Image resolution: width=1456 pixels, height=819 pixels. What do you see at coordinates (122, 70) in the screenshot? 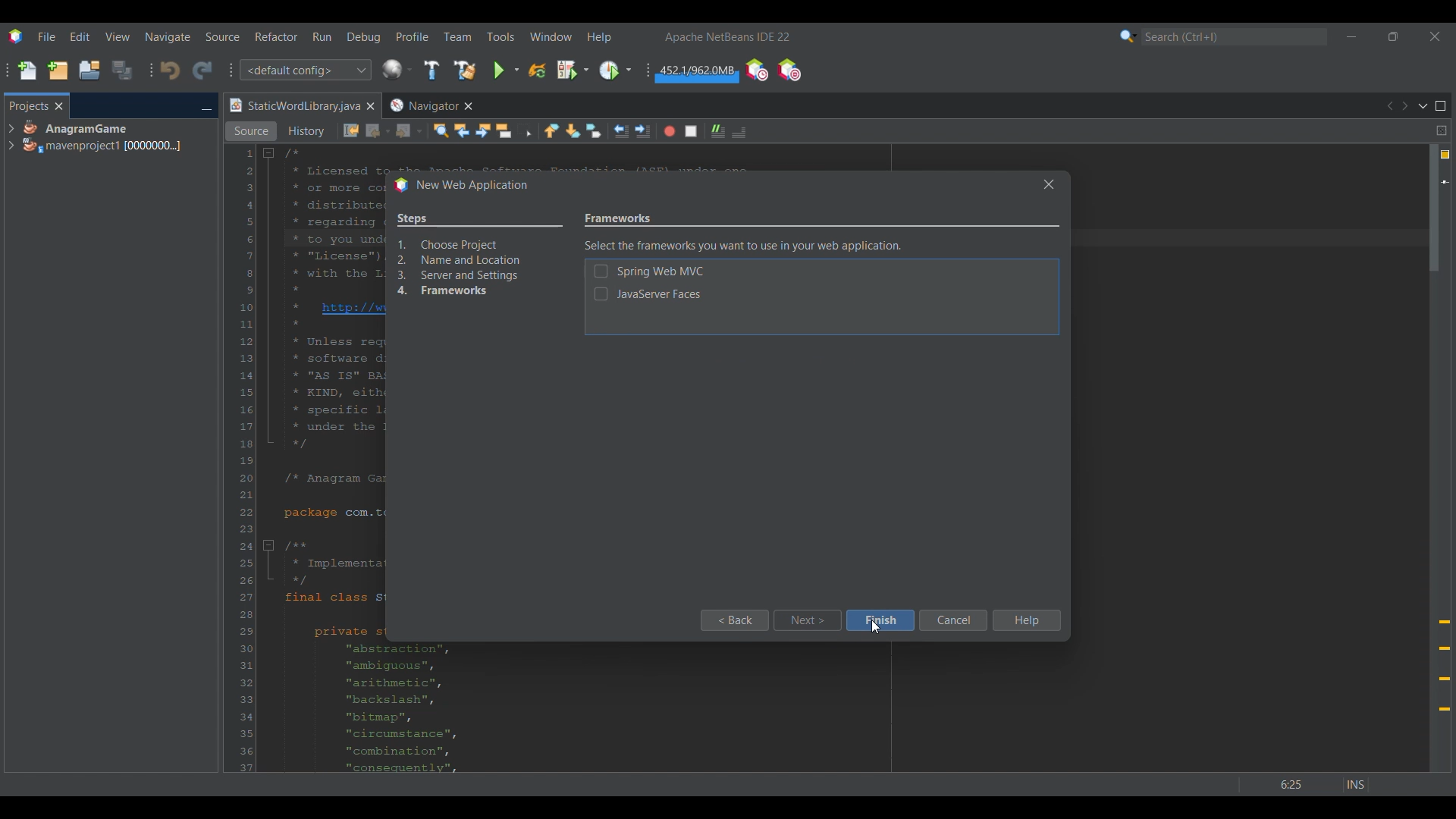
I see `Save all` at bounding box center [122, 70].